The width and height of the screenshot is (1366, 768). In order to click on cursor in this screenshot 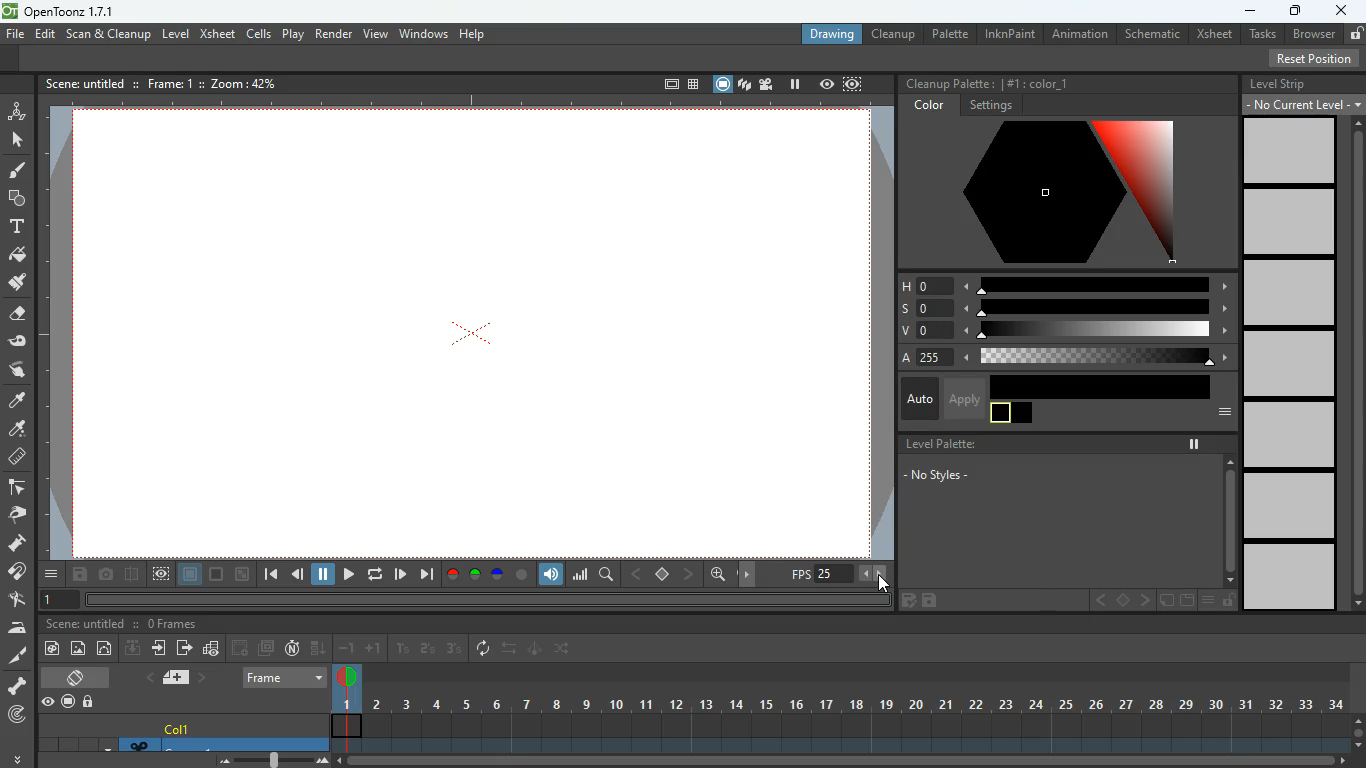, I will do `click(887, 580)`.